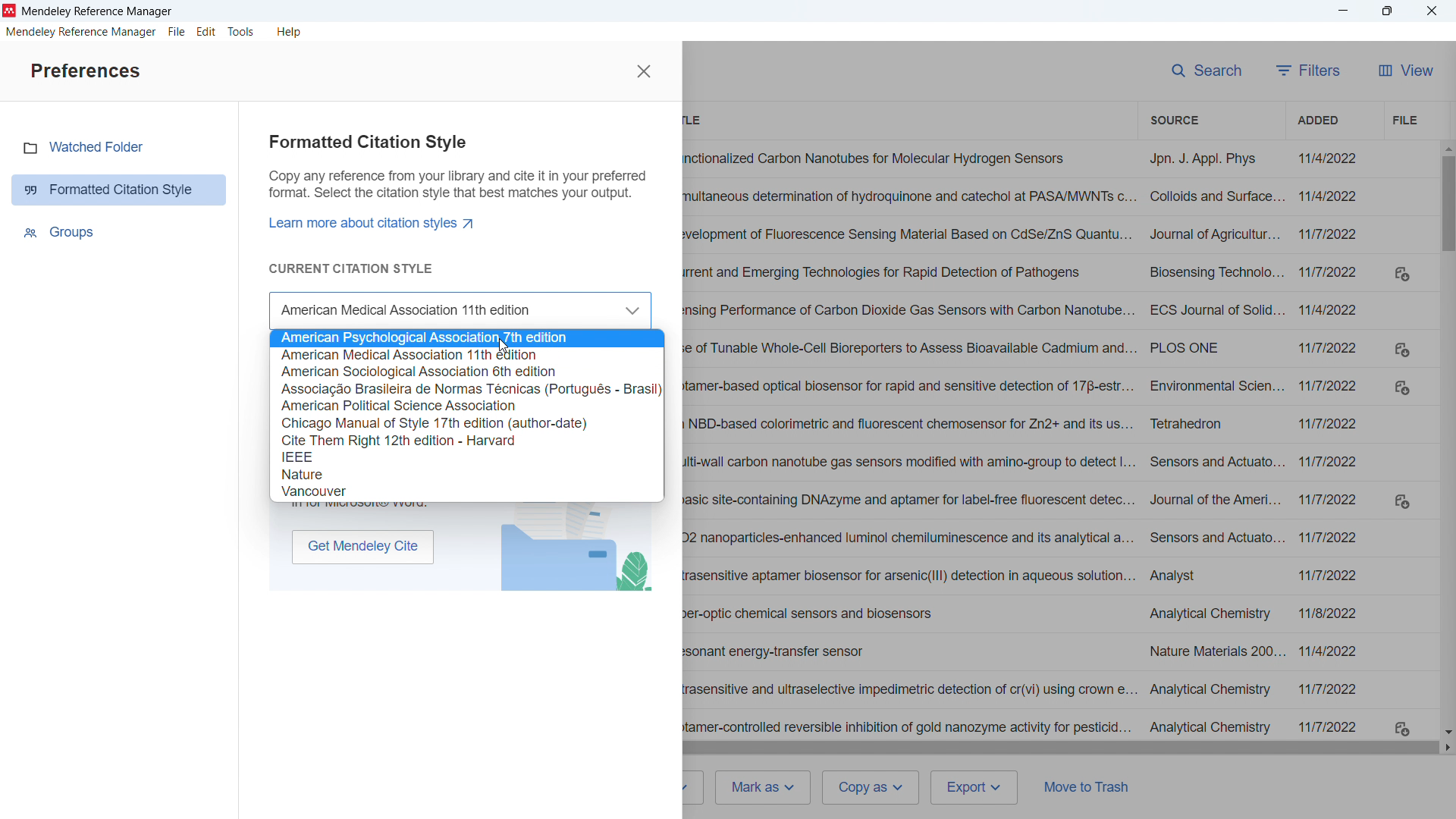 This screenshot has width=1456, height=819. I want to click on associação brasileira de normas técnicas, so click(466, 388).